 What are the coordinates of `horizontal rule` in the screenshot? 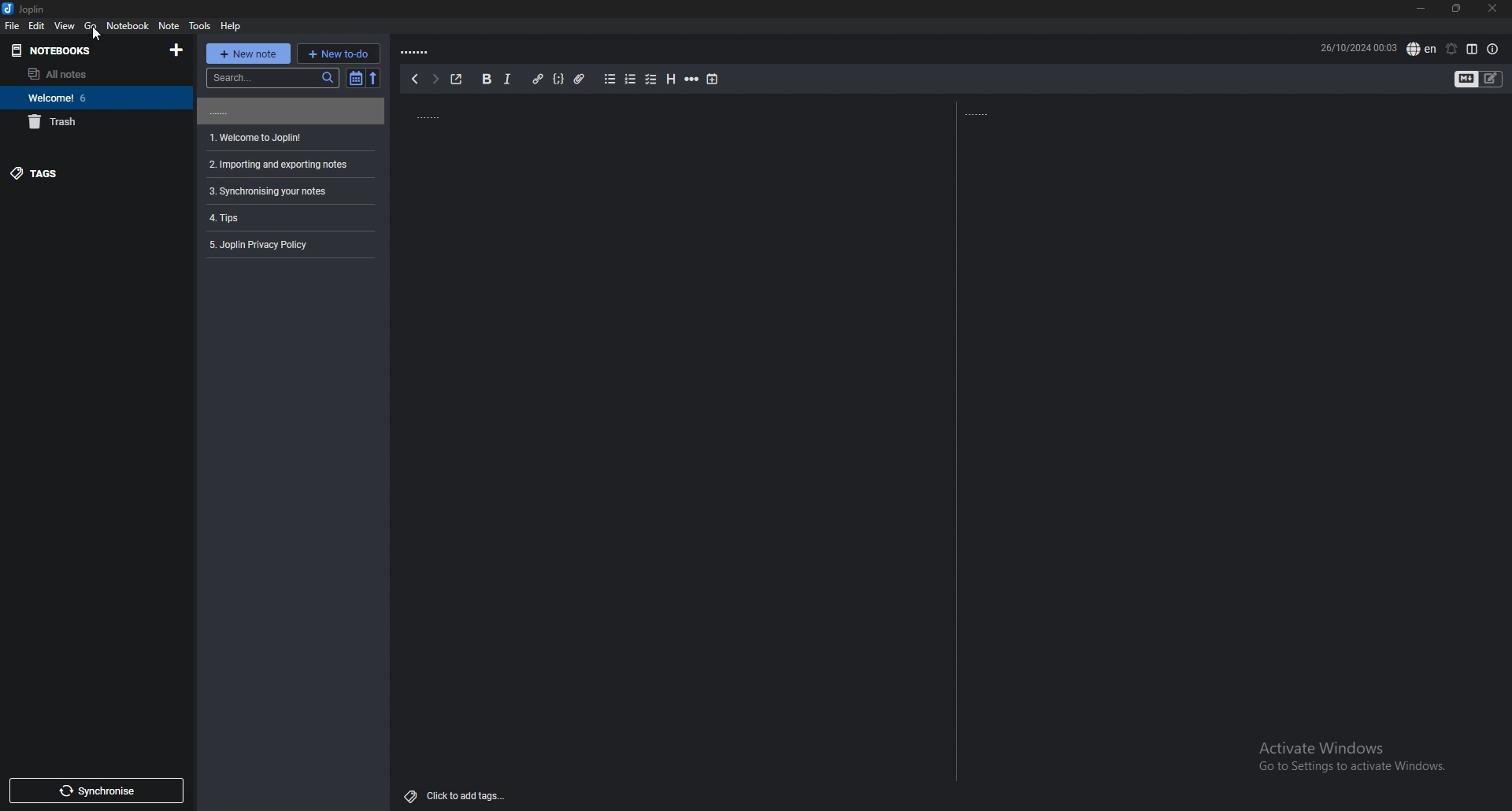 It's located at (692, 80).